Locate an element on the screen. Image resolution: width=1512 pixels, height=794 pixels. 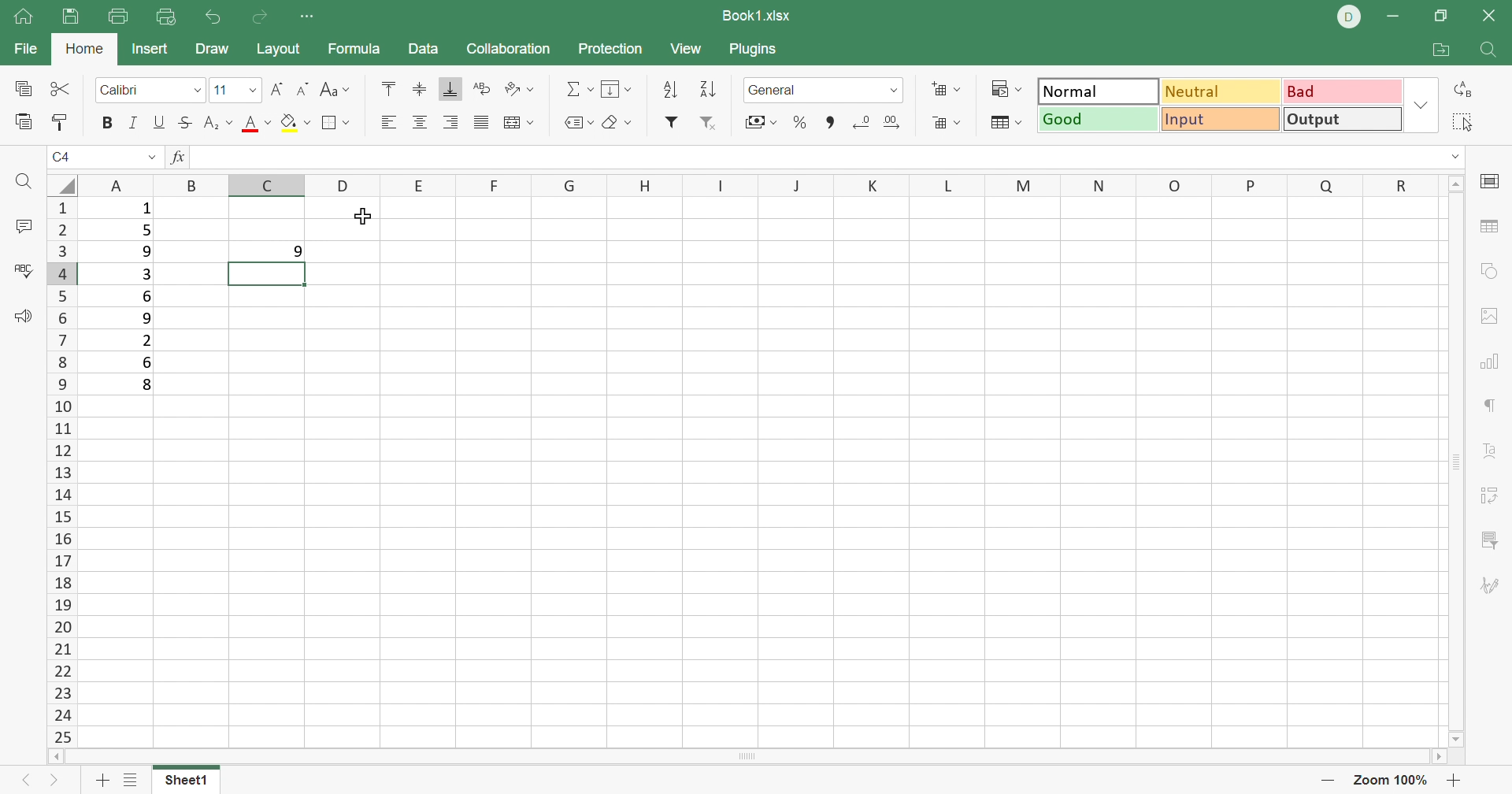
Normal is located at coordinates (1094, 91).